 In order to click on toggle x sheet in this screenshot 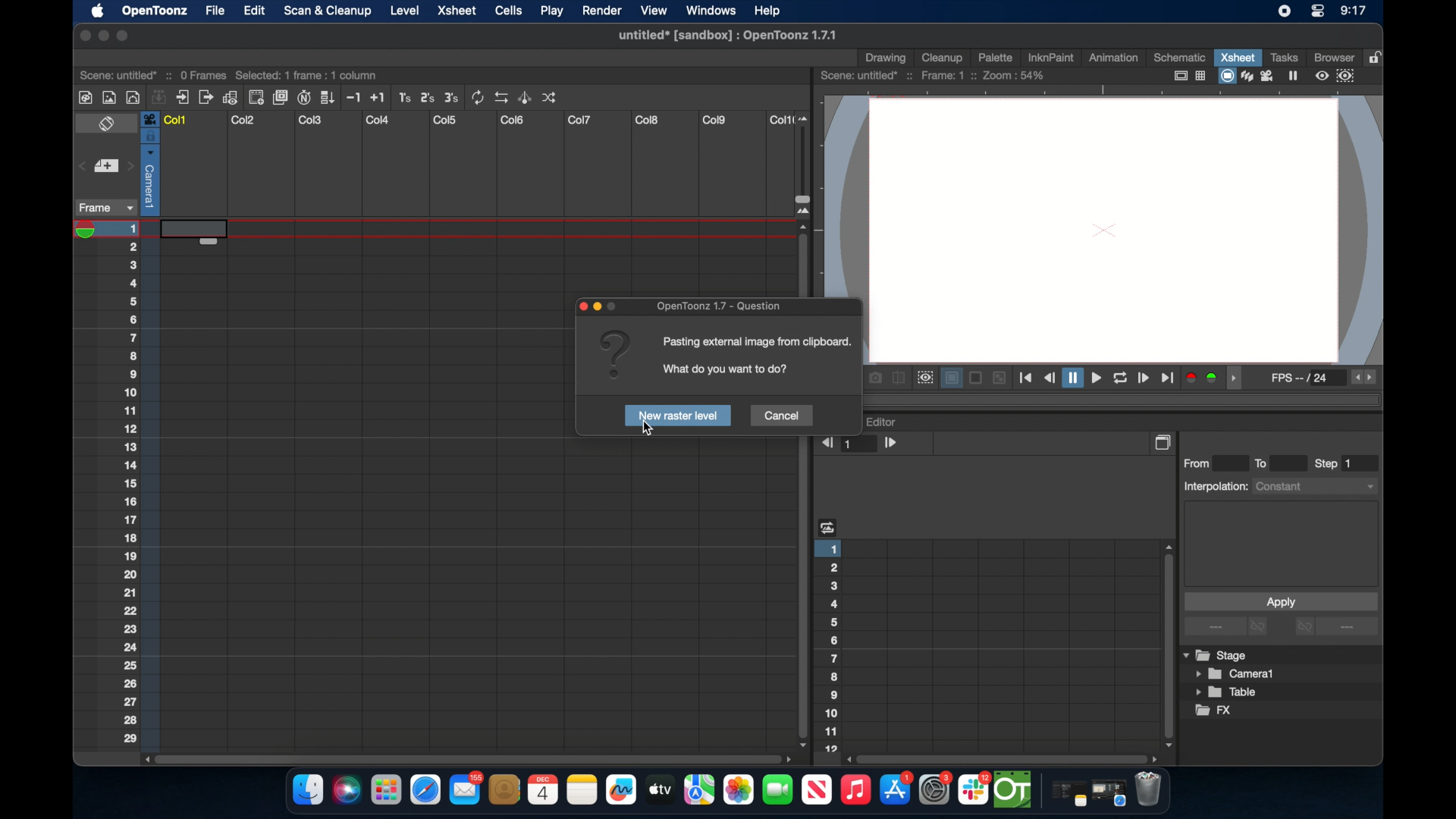, I will do `click(108, 125)`.